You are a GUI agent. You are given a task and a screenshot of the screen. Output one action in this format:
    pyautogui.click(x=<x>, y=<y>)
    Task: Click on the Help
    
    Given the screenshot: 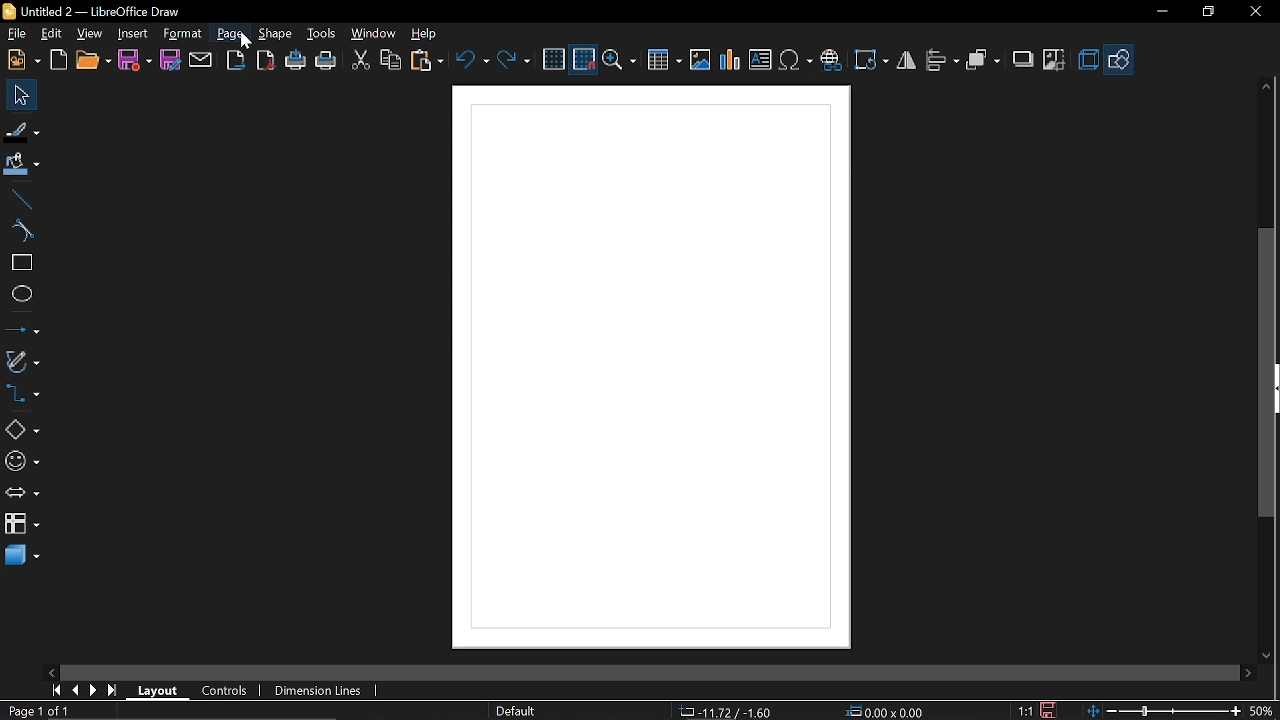 What is the action you would take?
    pyautogui.click(x=426, y=33)
    